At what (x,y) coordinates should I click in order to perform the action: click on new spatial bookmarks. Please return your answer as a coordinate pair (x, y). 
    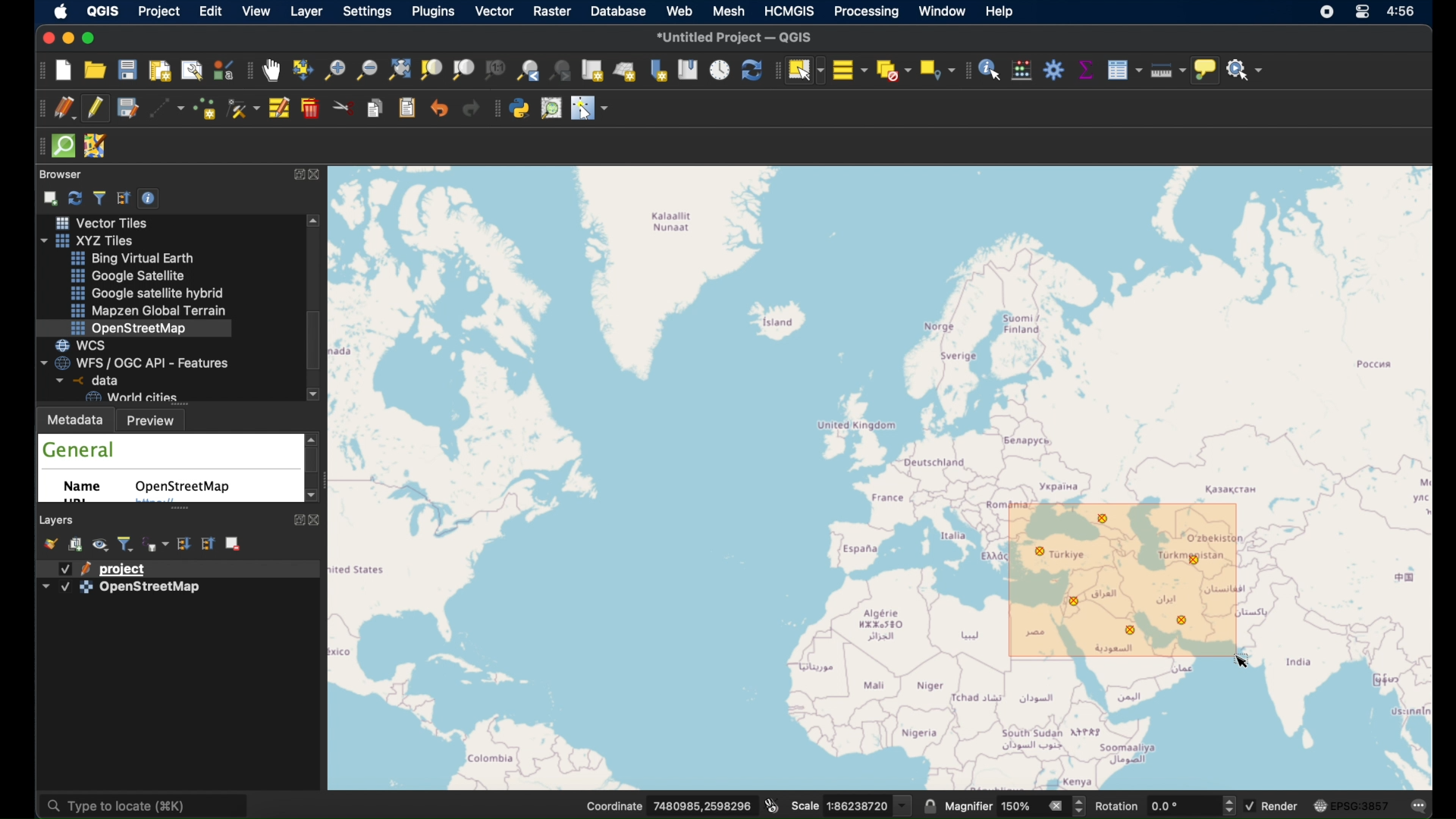
    Looking at the image, I should click on (659, 70).